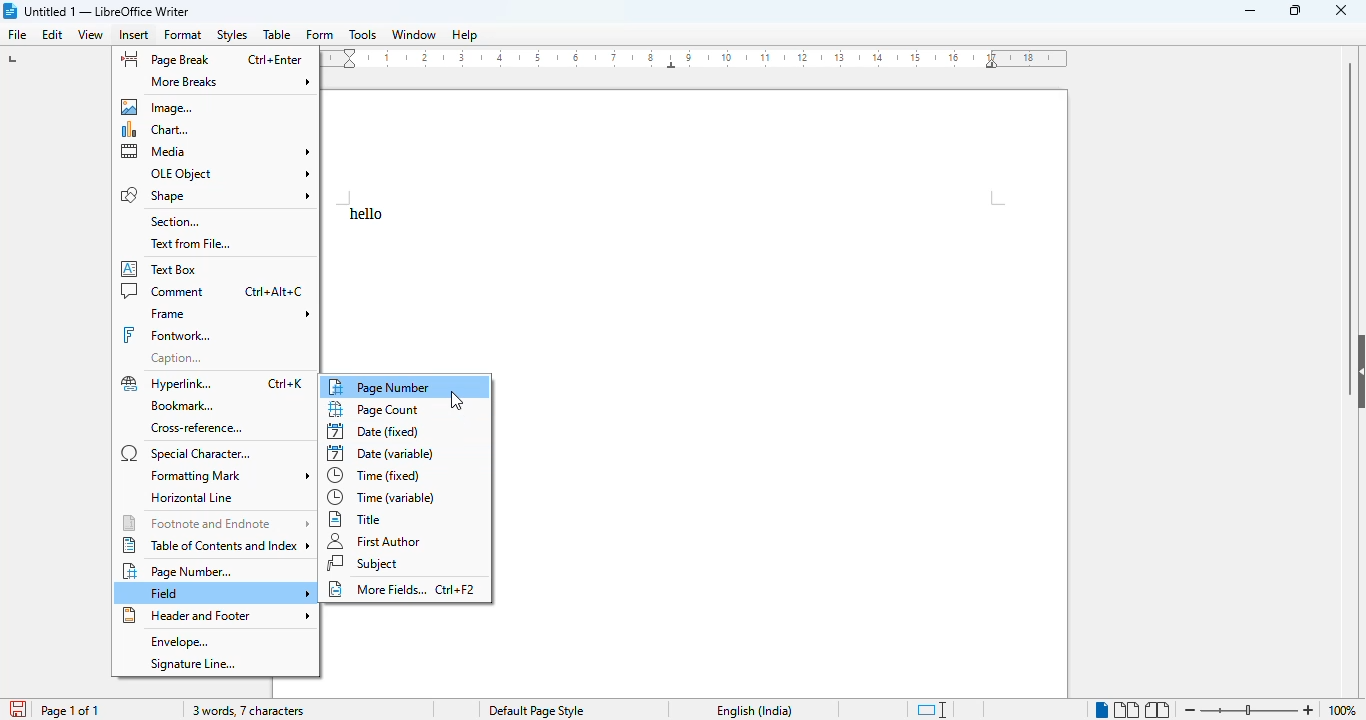  What do you see at coordinates (160, 269) in the screenshot?
I see `text box` at bounding box center [160, 269].